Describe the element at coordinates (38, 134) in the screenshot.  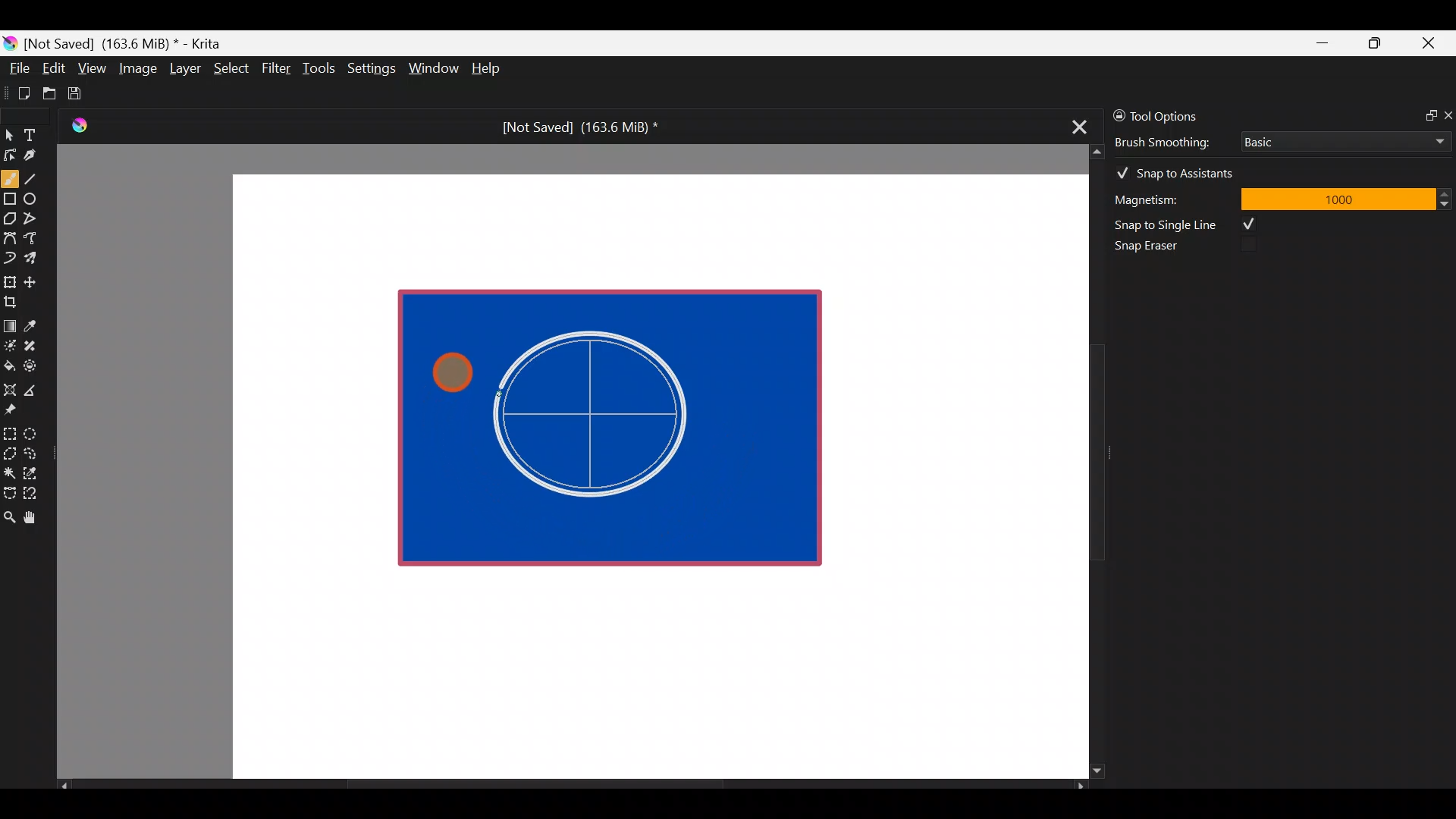
I see `Text tool` at that location.